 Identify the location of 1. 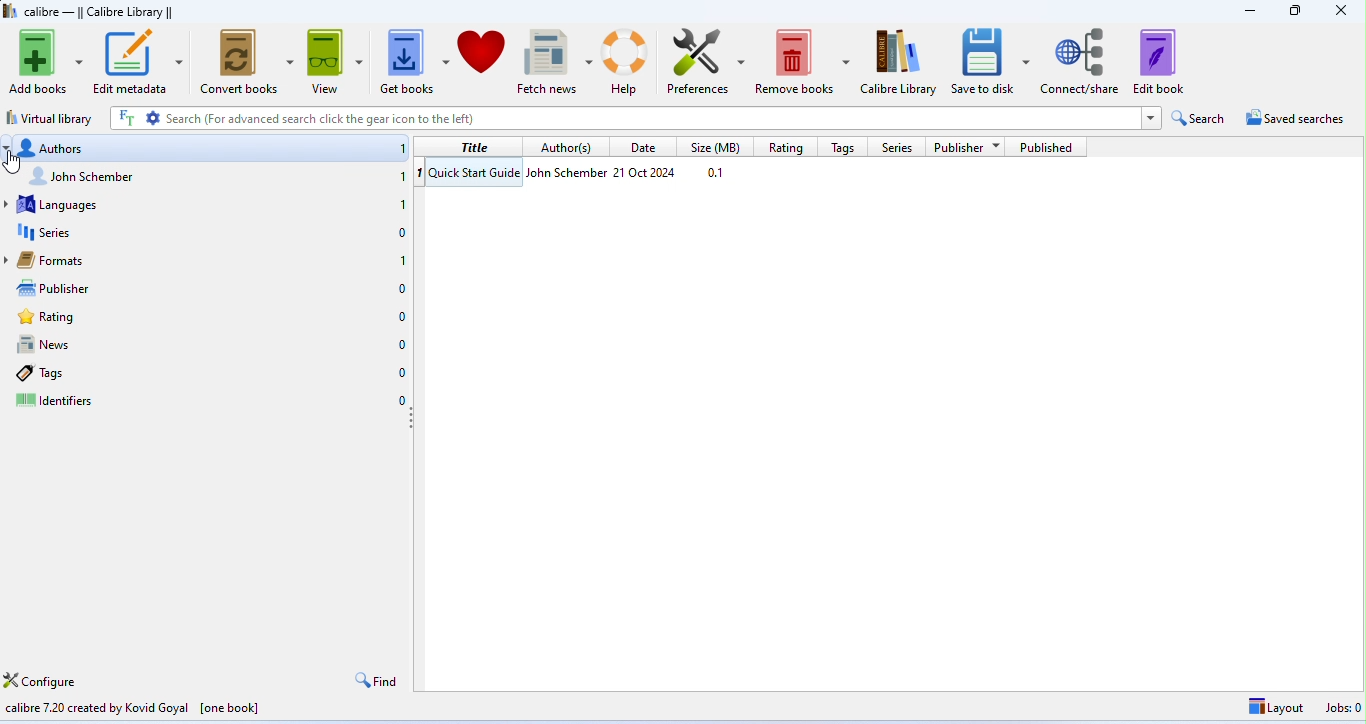
(423, 173).